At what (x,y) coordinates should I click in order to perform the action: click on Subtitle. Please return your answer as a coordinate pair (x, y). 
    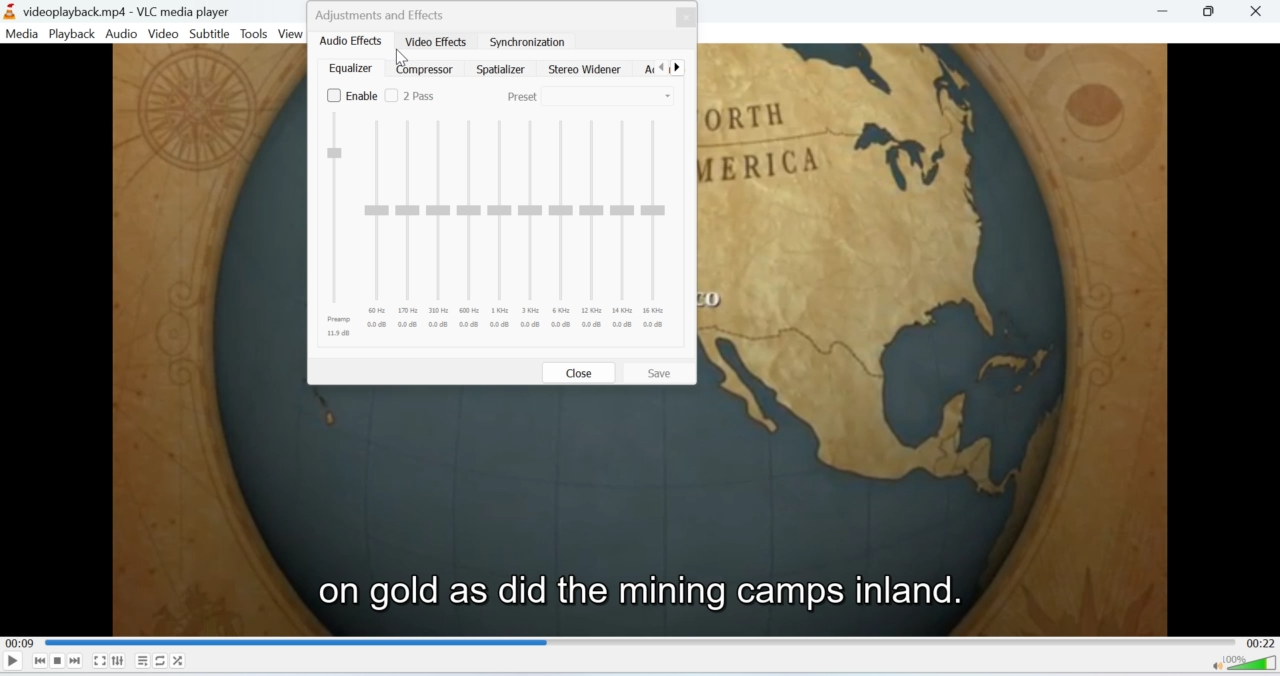
    Looking at the image, I should click on (209, 35).